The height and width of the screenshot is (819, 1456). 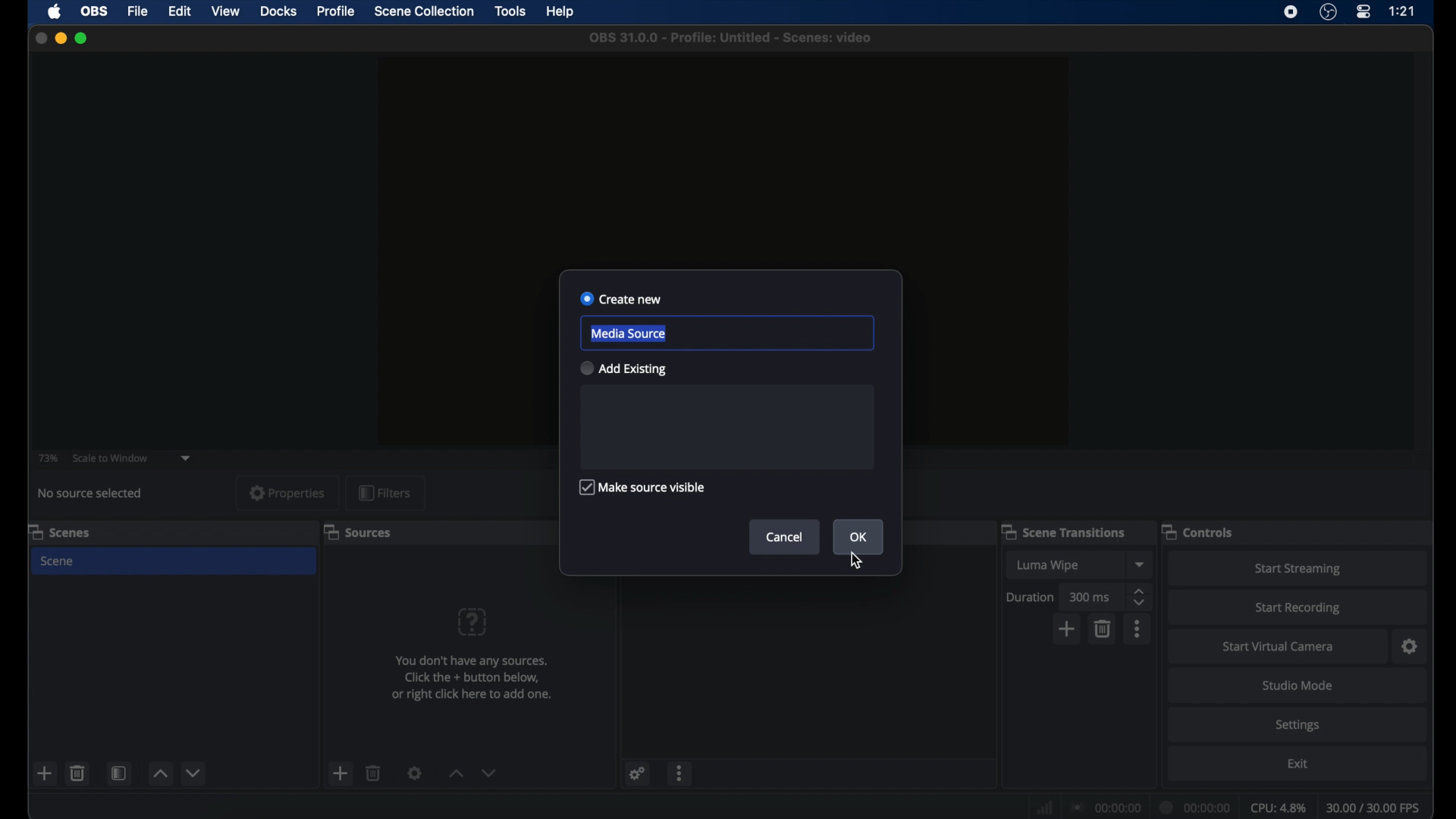 I want to click on connection, so click(x=1103, y=808).